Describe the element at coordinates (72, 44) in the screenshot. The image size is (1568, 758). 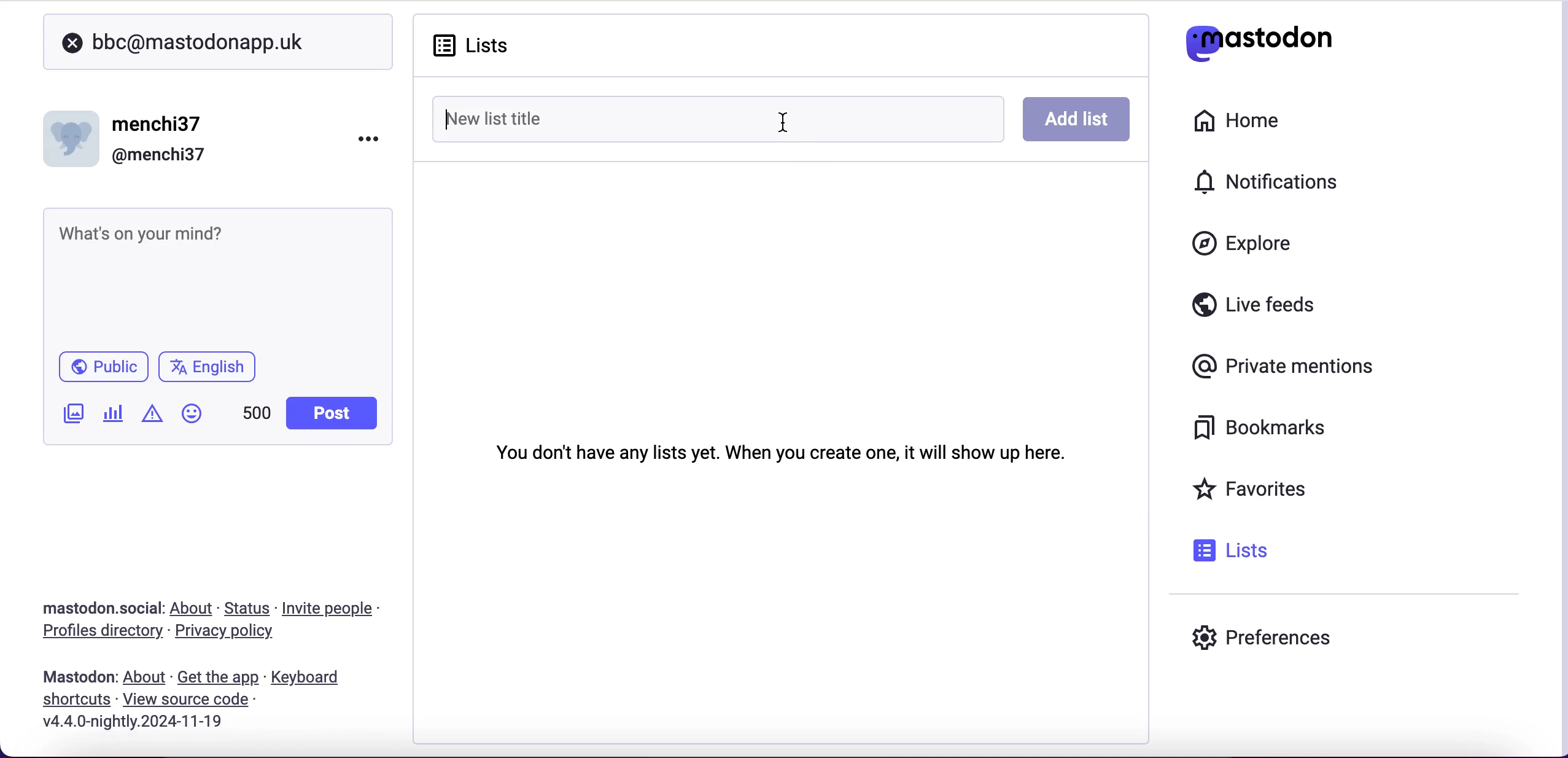
I see `close` at that location.